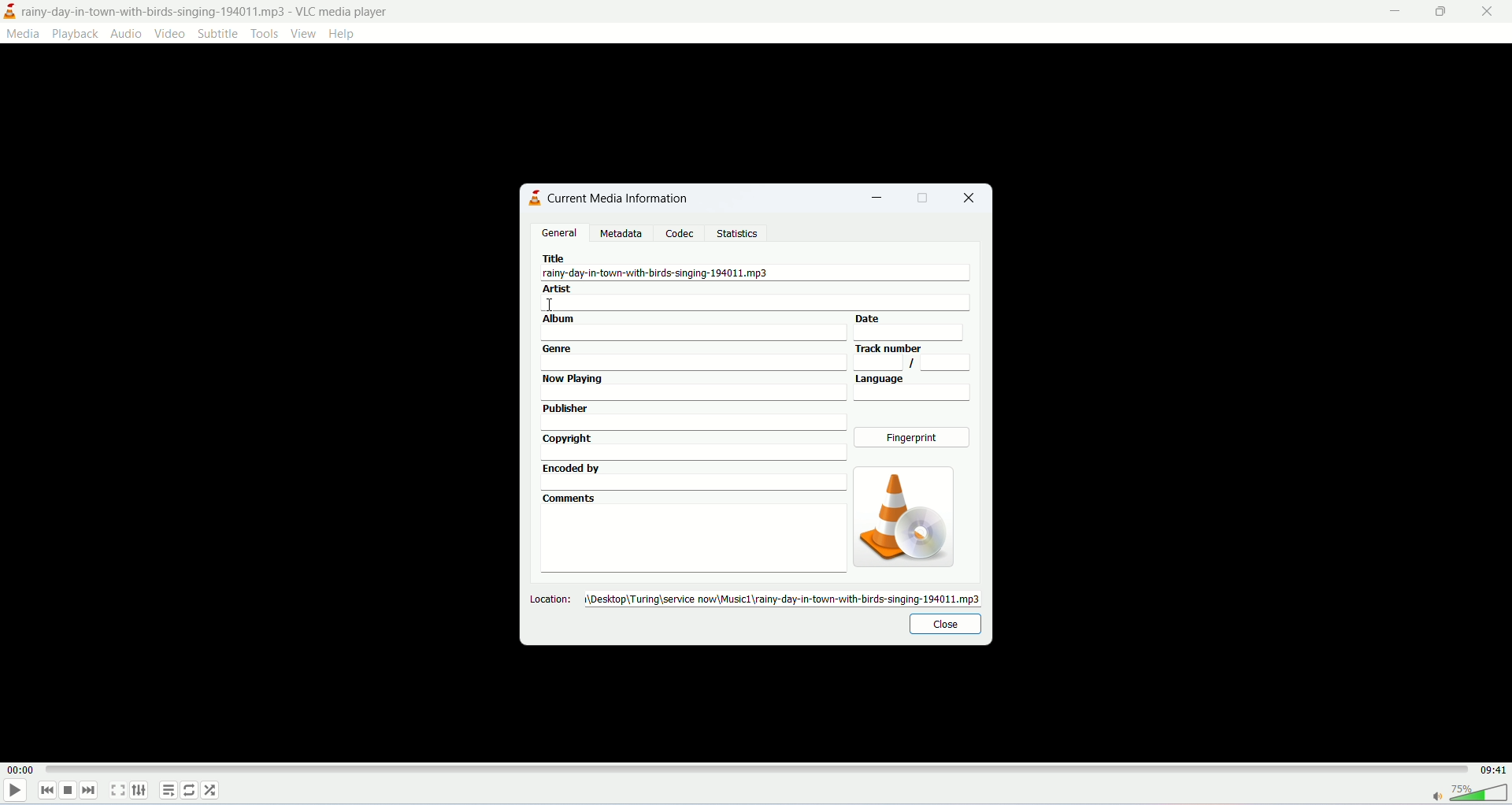  I want to click on logo, so click(531, 198).